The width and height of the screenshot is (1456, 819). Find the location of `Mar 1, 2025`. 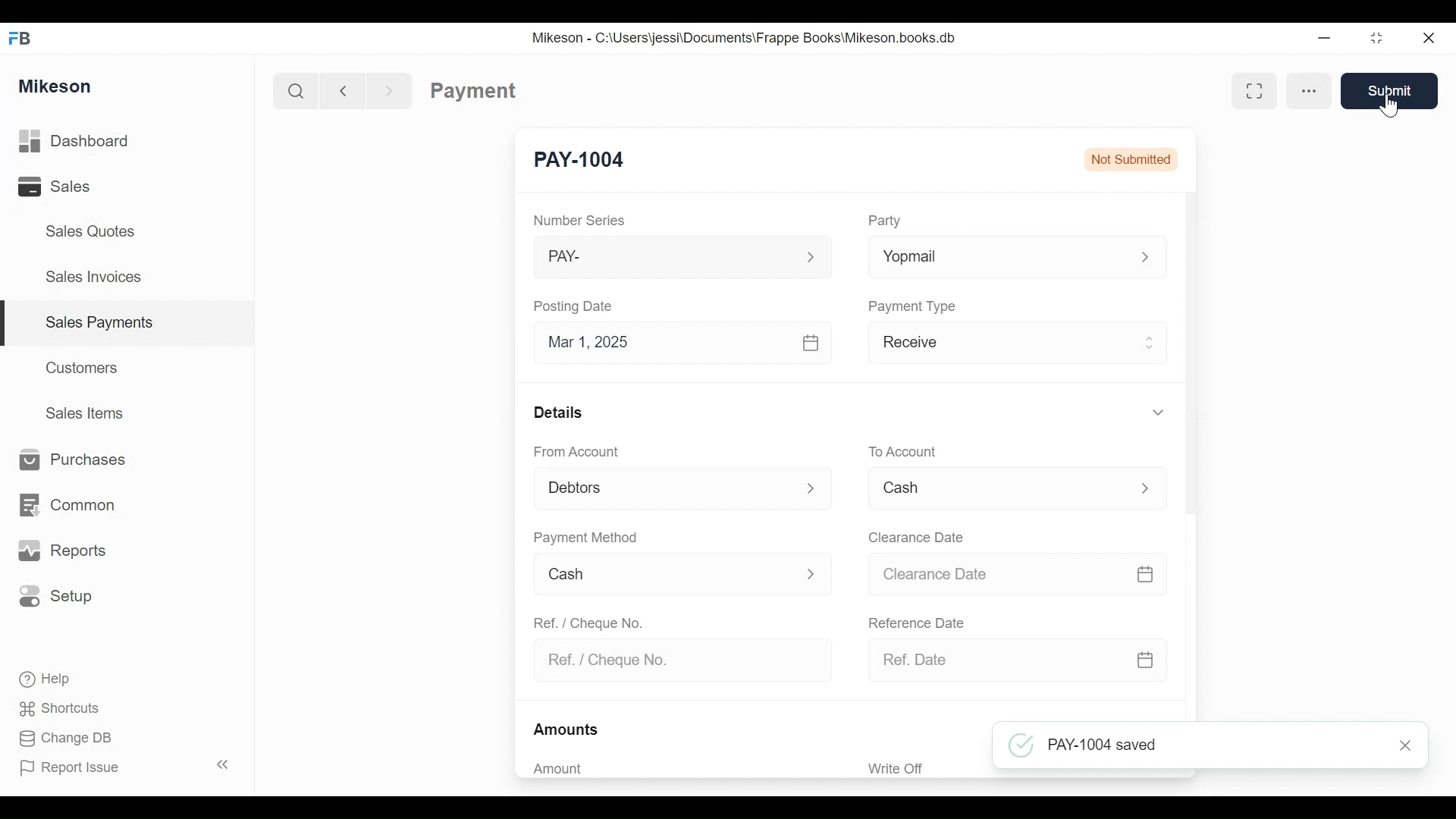

Mar 1, 2025 is located at coordinates (692, 345).